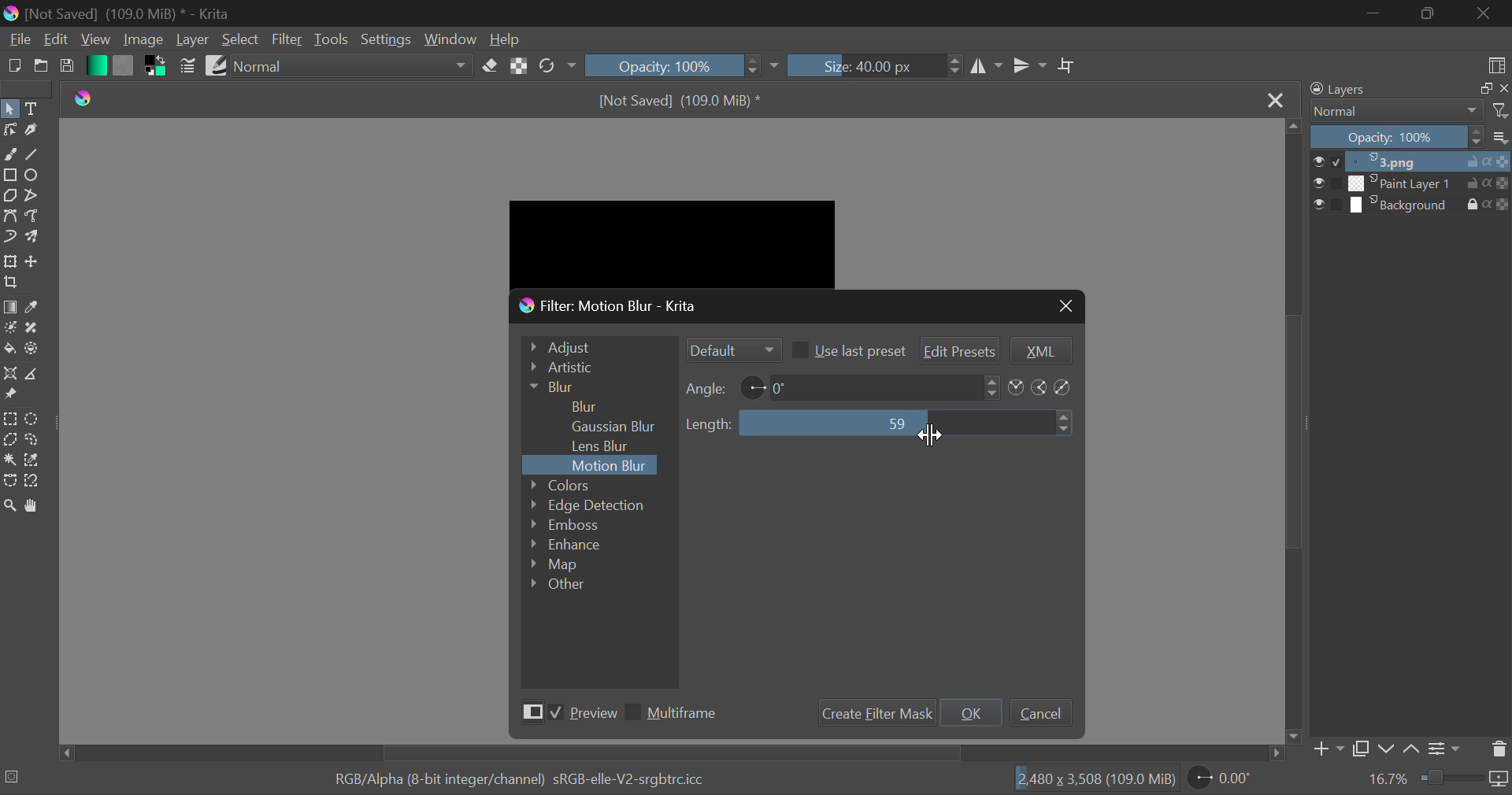  Describe the element at coordinates (9, 174) in the screenshot. I see `Rectangle` at that location.